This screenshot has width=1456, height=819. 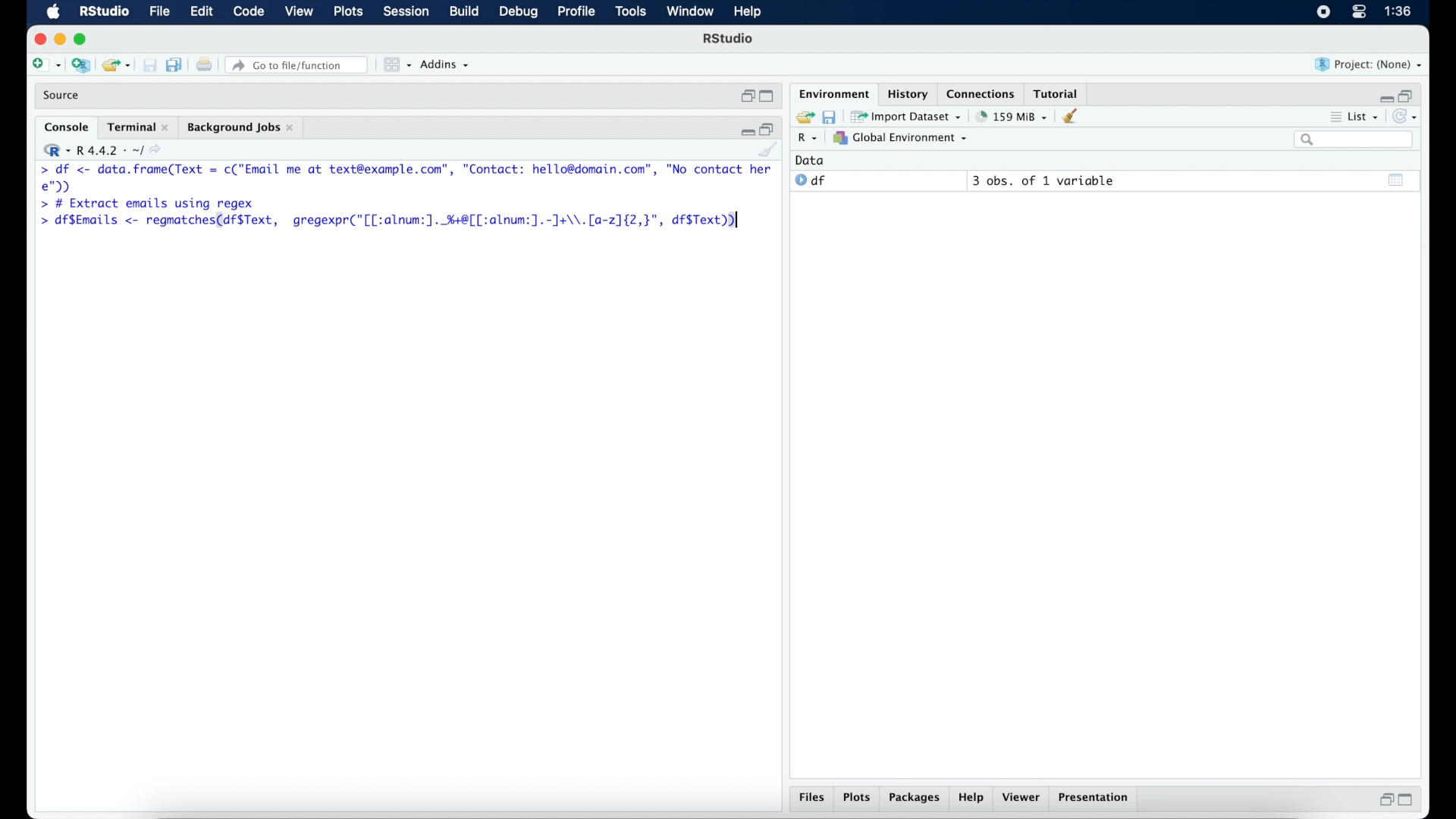 I want to click on 158 MB, so click(x=1013, y=116).